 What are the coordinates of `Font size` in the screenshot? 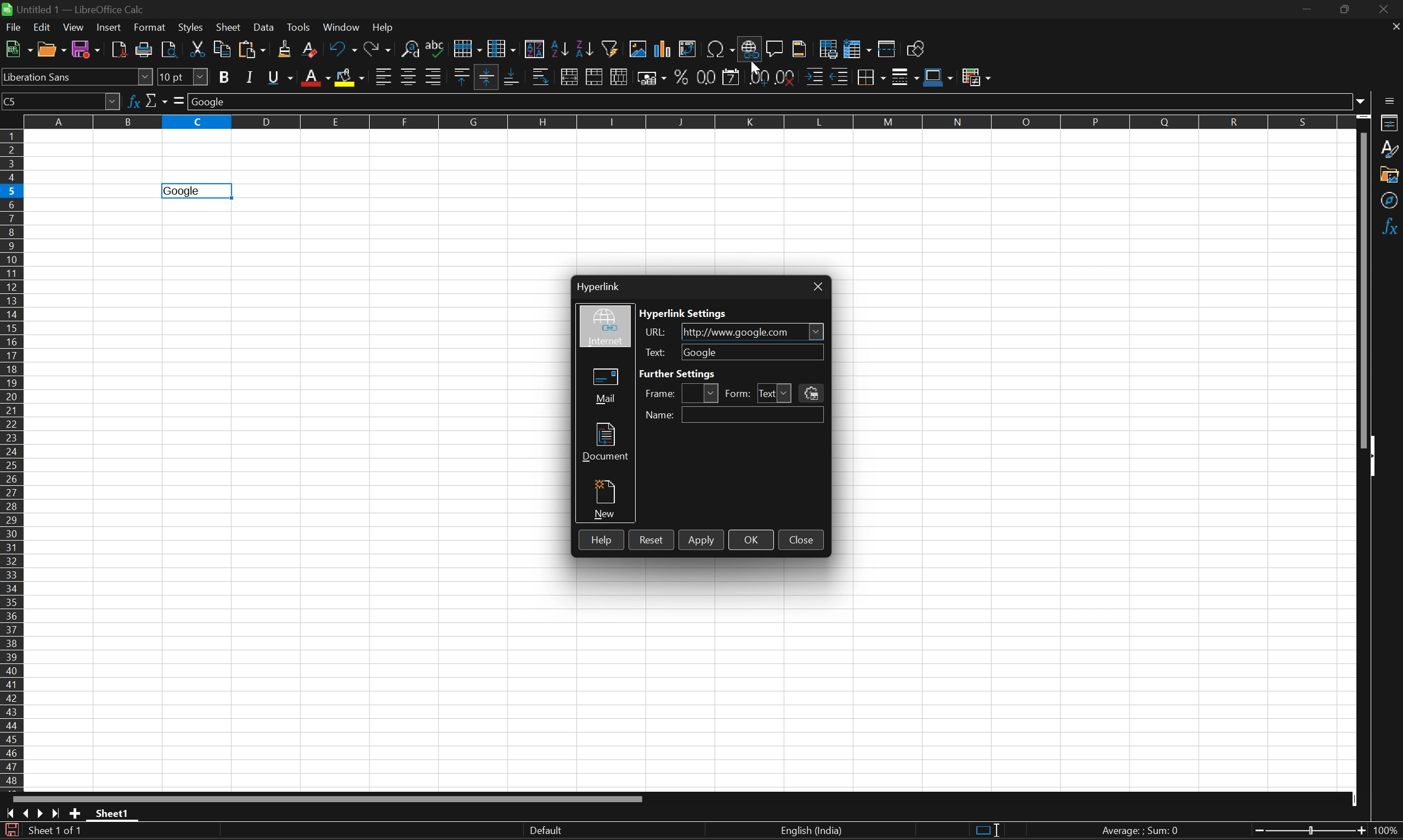 It's located at (184, 75).